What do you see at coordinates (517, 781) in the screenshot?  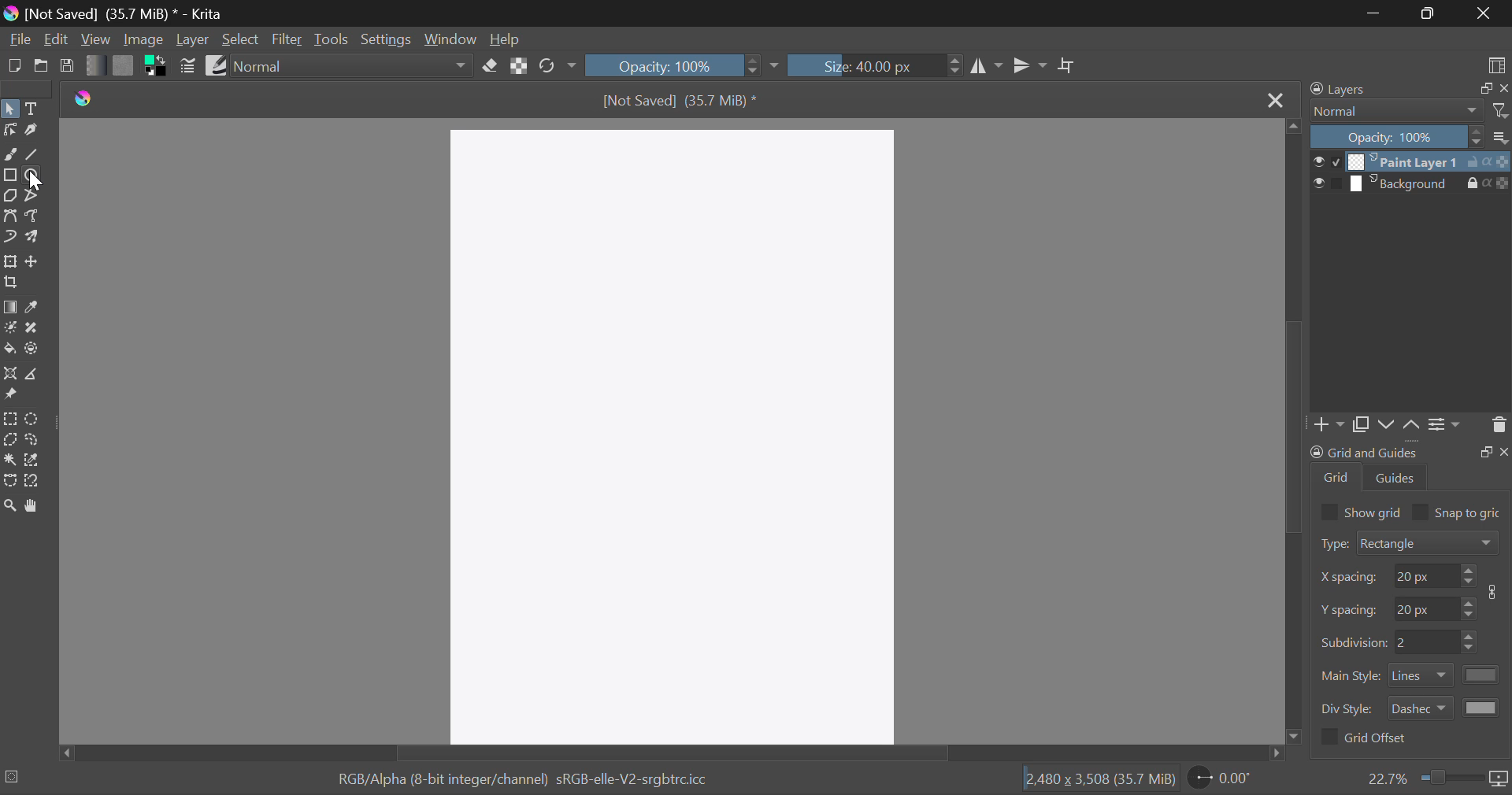 I see `Color Information` at bounding box center [517, 781].